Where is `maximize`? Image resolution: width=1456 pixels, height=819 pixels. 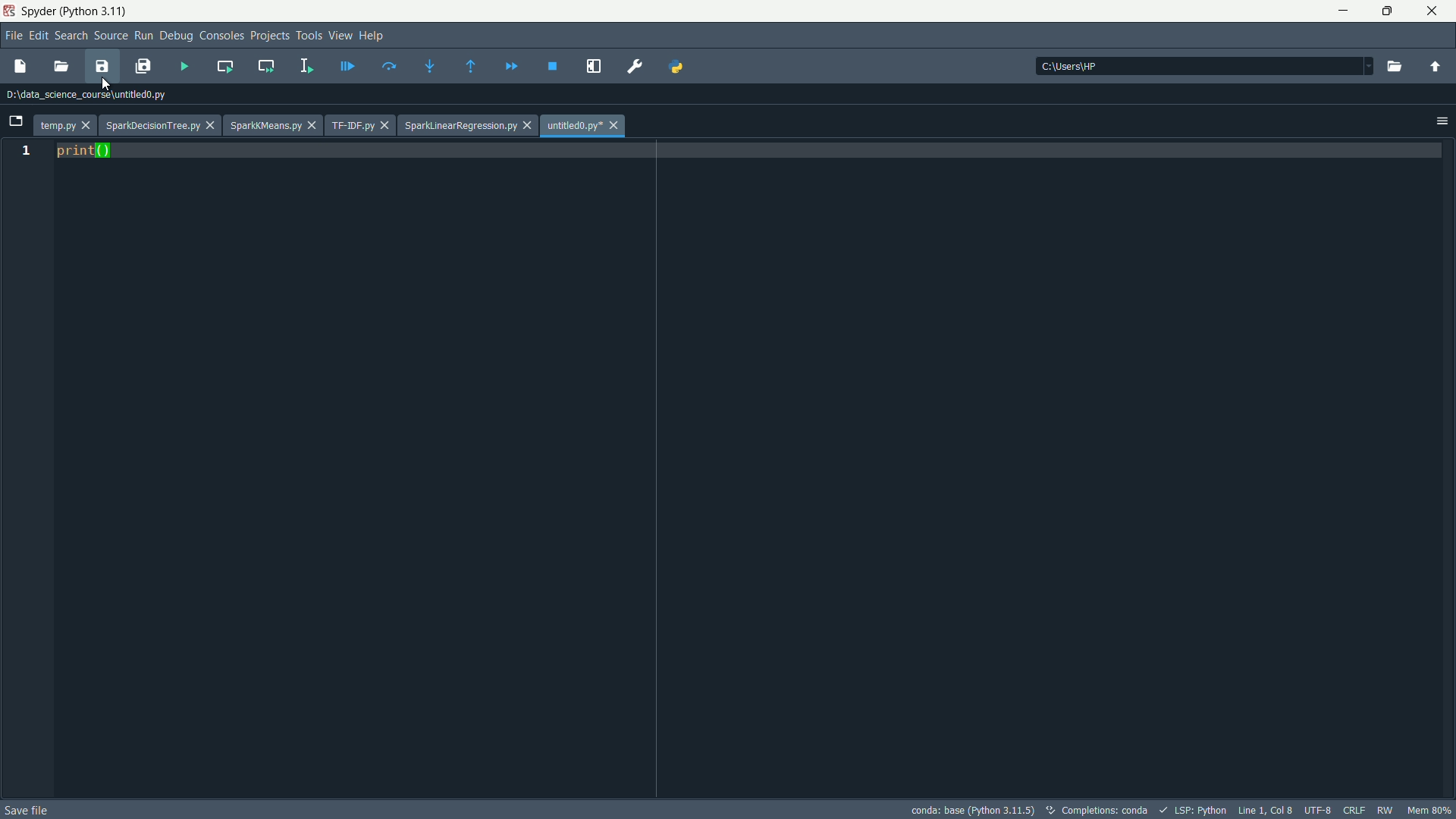
maximize is located at coordinates (1391, 11).